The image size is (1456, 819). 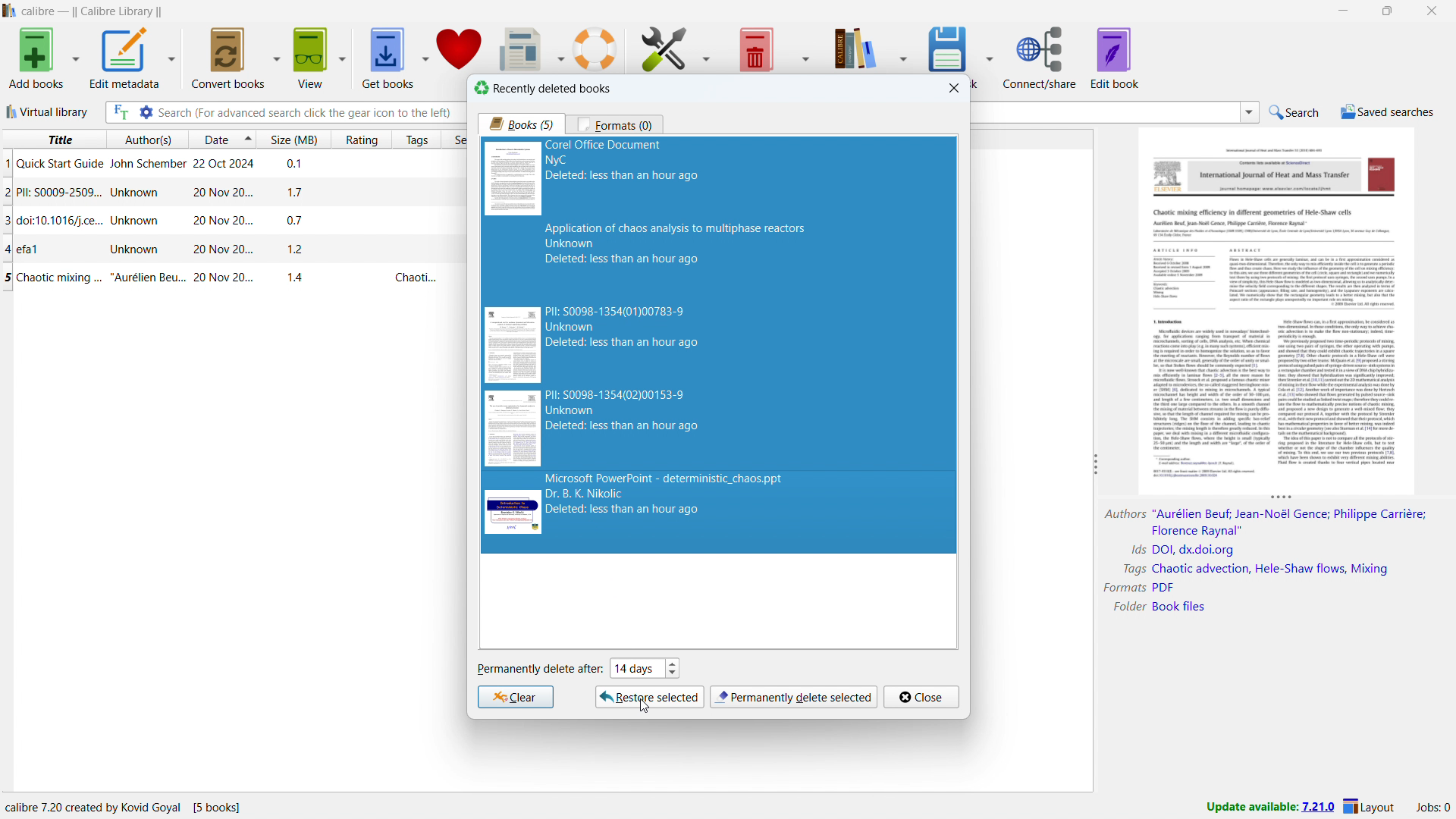 I want to click on maximize , so click(x=1387, y=11).